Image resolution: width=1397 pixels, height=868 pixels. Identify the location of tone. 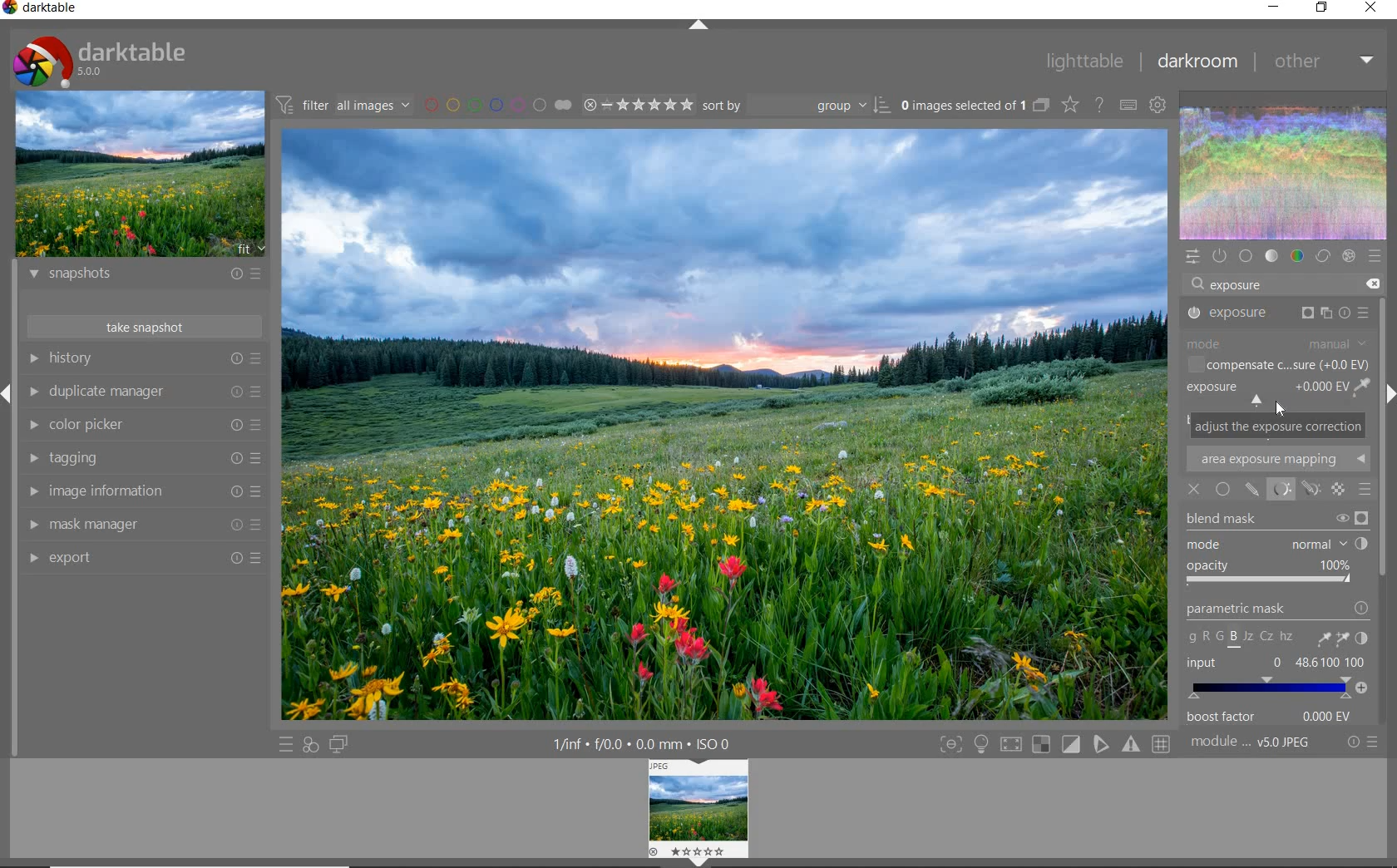
(1272, 257).